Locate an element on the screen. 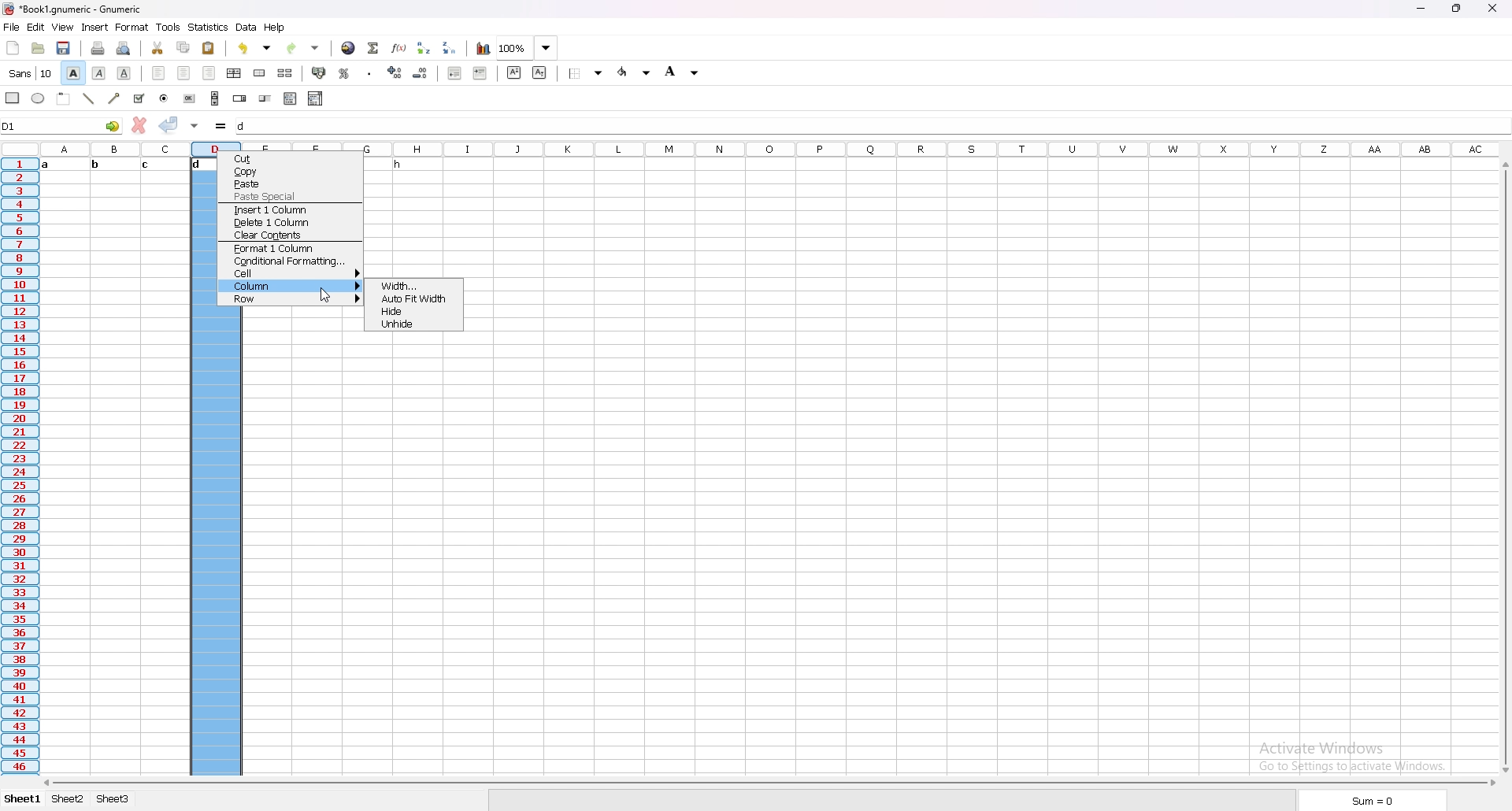 The width and height of the screenshot is (1512, 811). sort ascending is located at coordinates (424, 47).